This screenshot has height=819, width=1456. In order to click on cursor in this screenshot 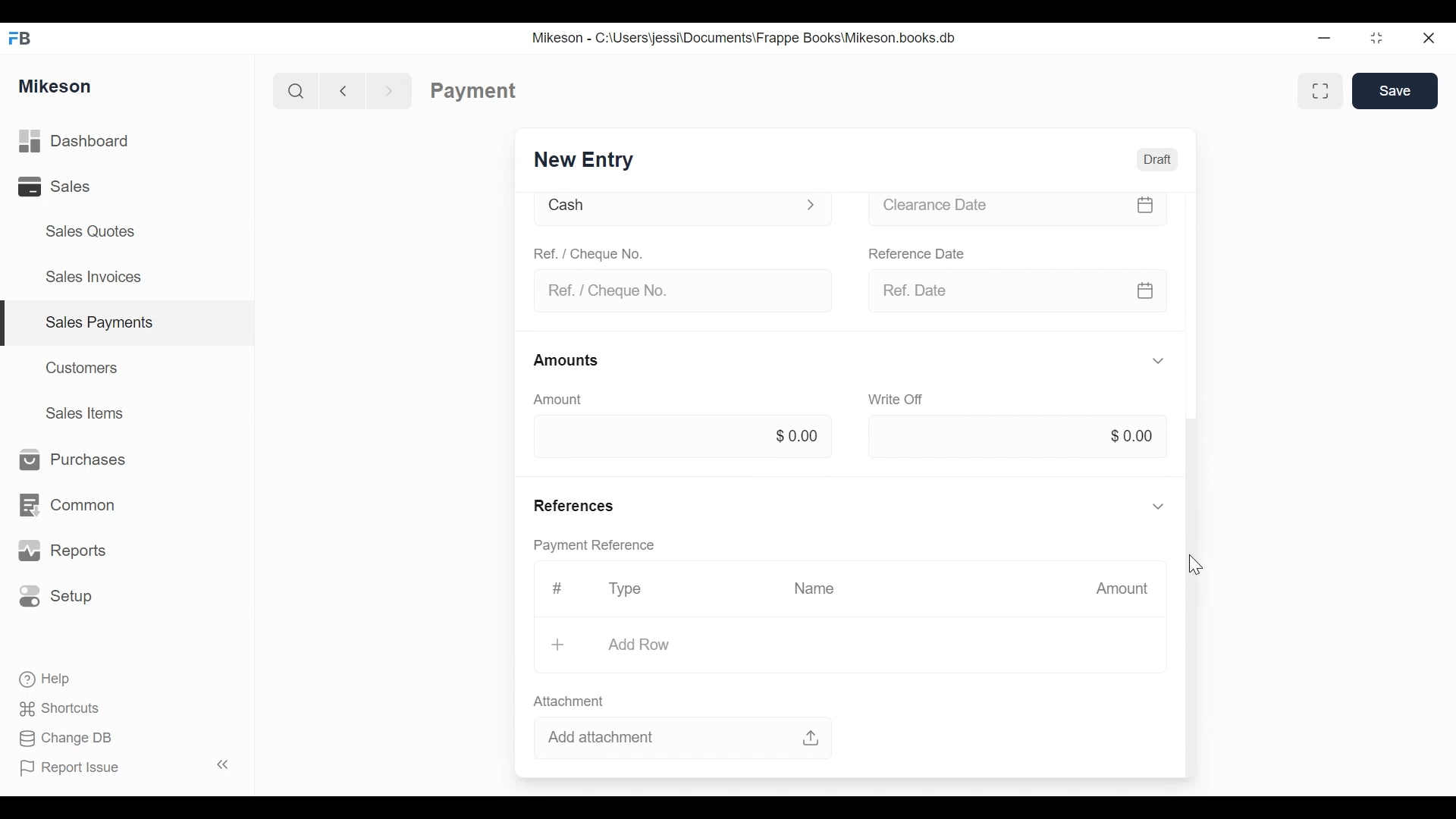, I will do `click(1197, 564)`.